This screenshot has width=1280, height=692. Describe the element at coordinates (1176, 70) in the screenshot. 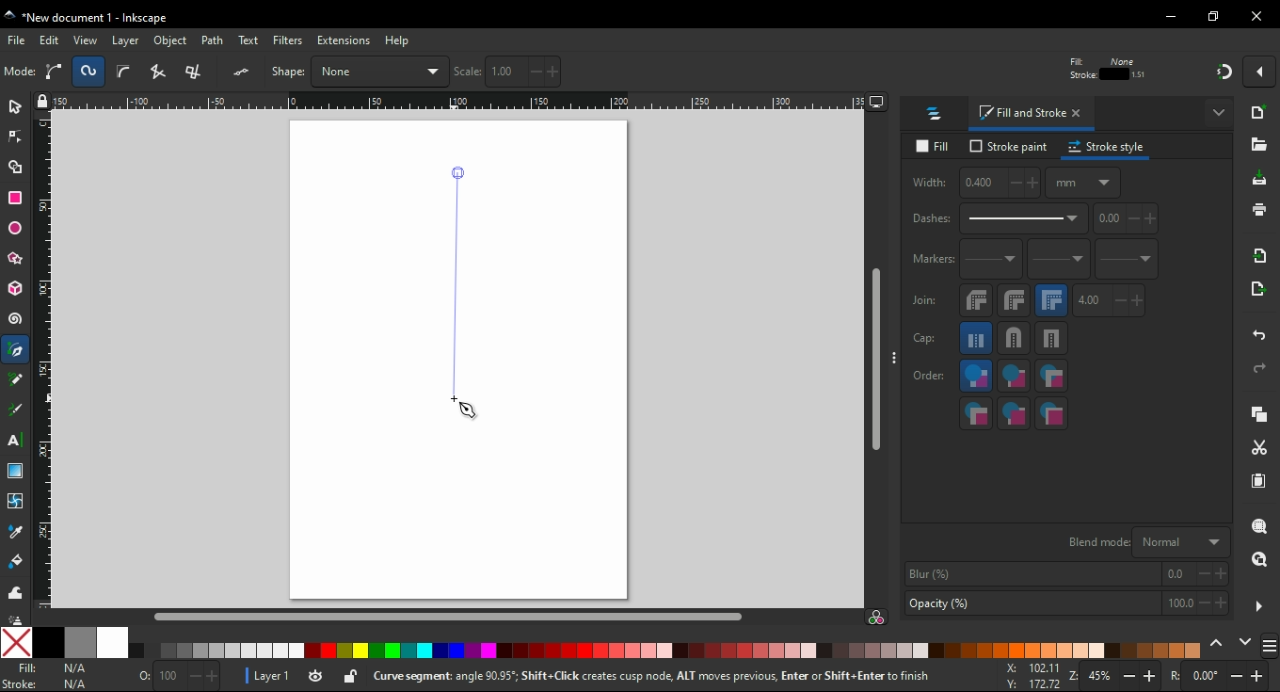

I see `move pattern along wit the objects` at that location.